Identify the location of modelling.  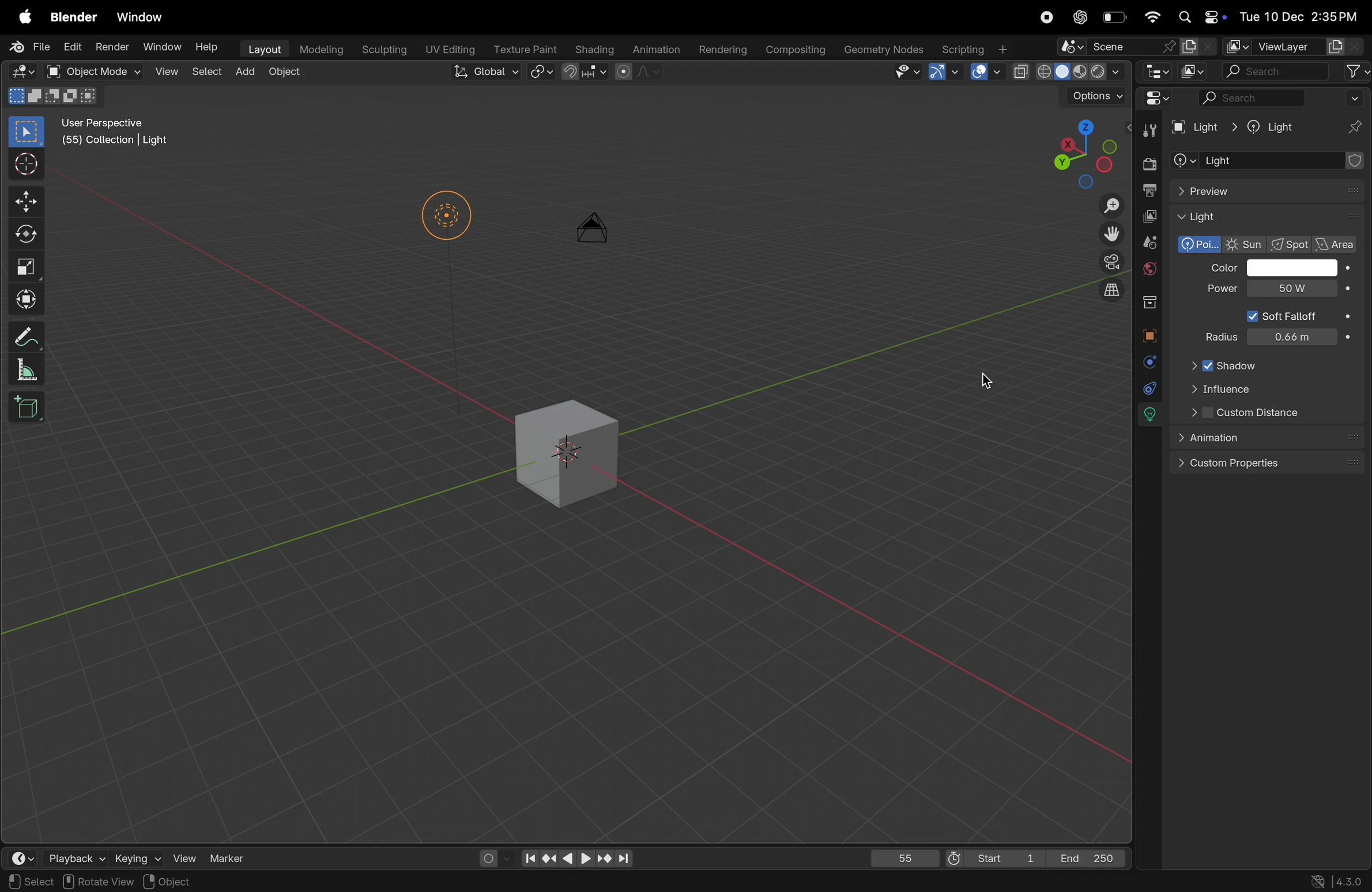
(321, 50).